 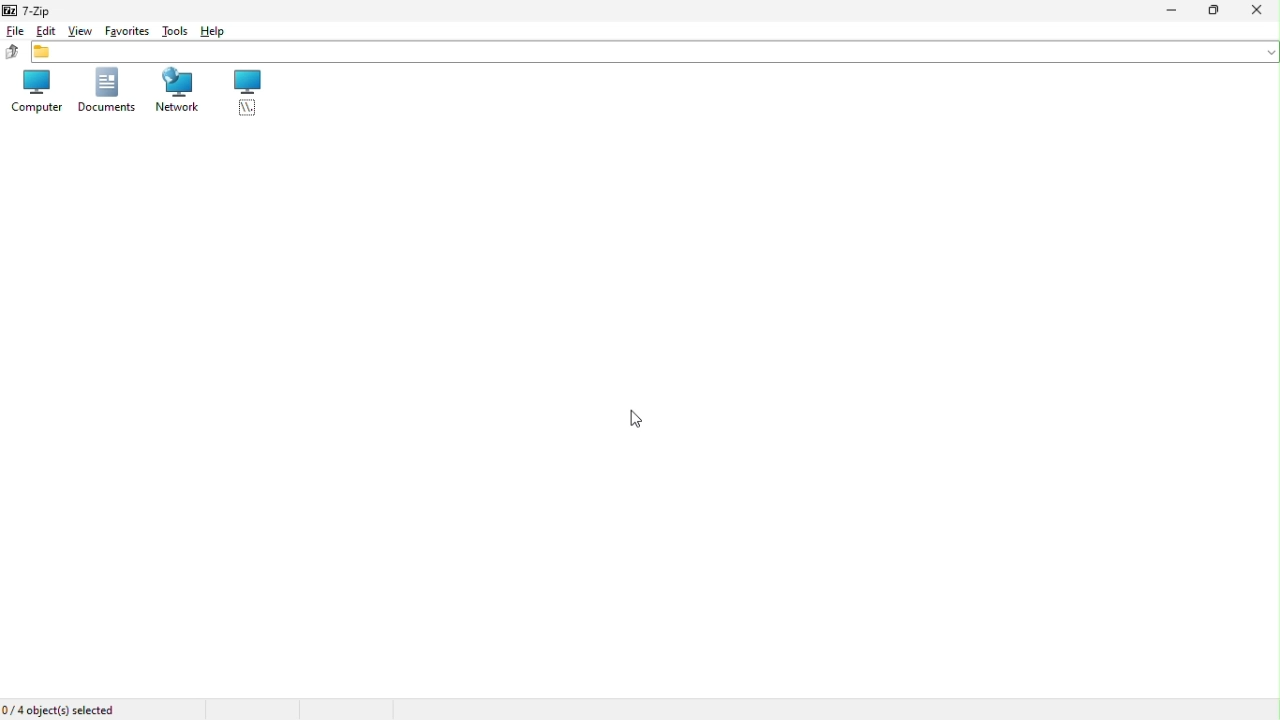 I want to click on Favourite, so click(x=127, y=31).